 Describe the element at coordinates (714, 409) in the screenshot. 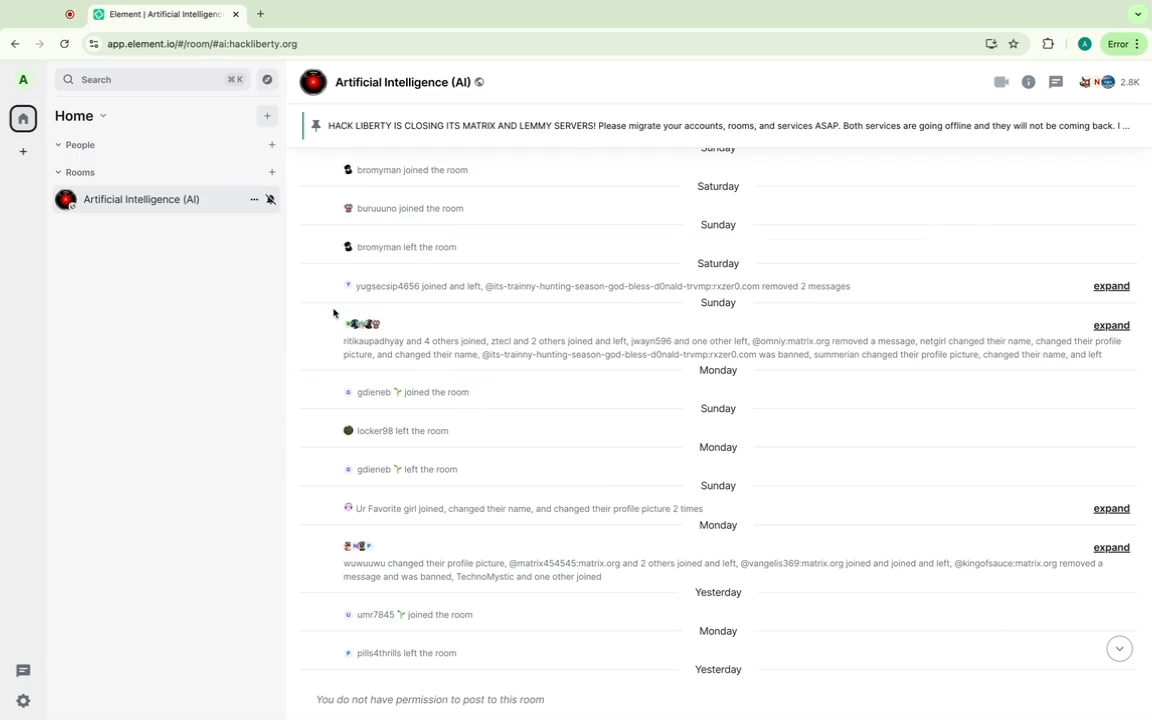

I see `Day` at that location.